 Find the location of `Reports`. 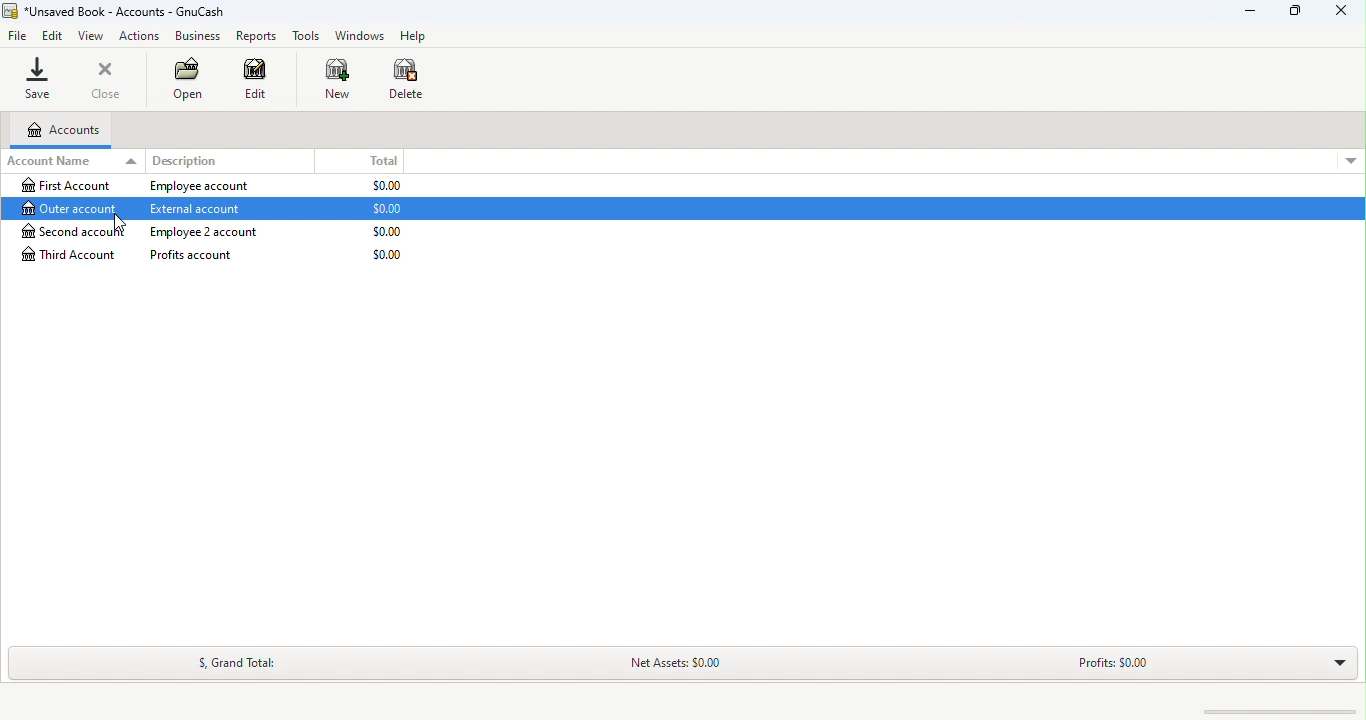

Reports is located at coordinates (255, 35).